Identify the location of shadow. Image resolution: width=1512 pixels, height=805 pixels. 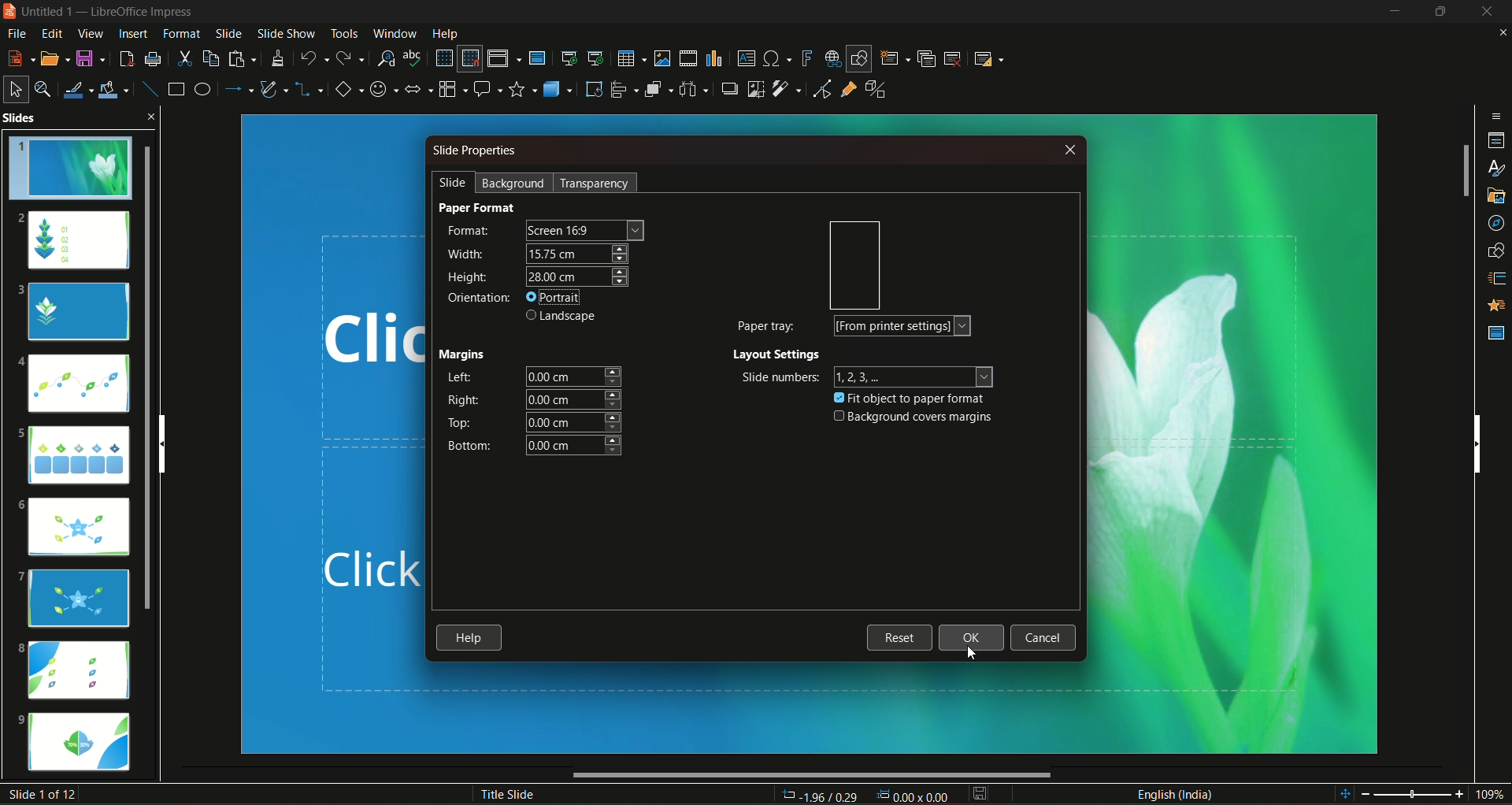
(729, 89).